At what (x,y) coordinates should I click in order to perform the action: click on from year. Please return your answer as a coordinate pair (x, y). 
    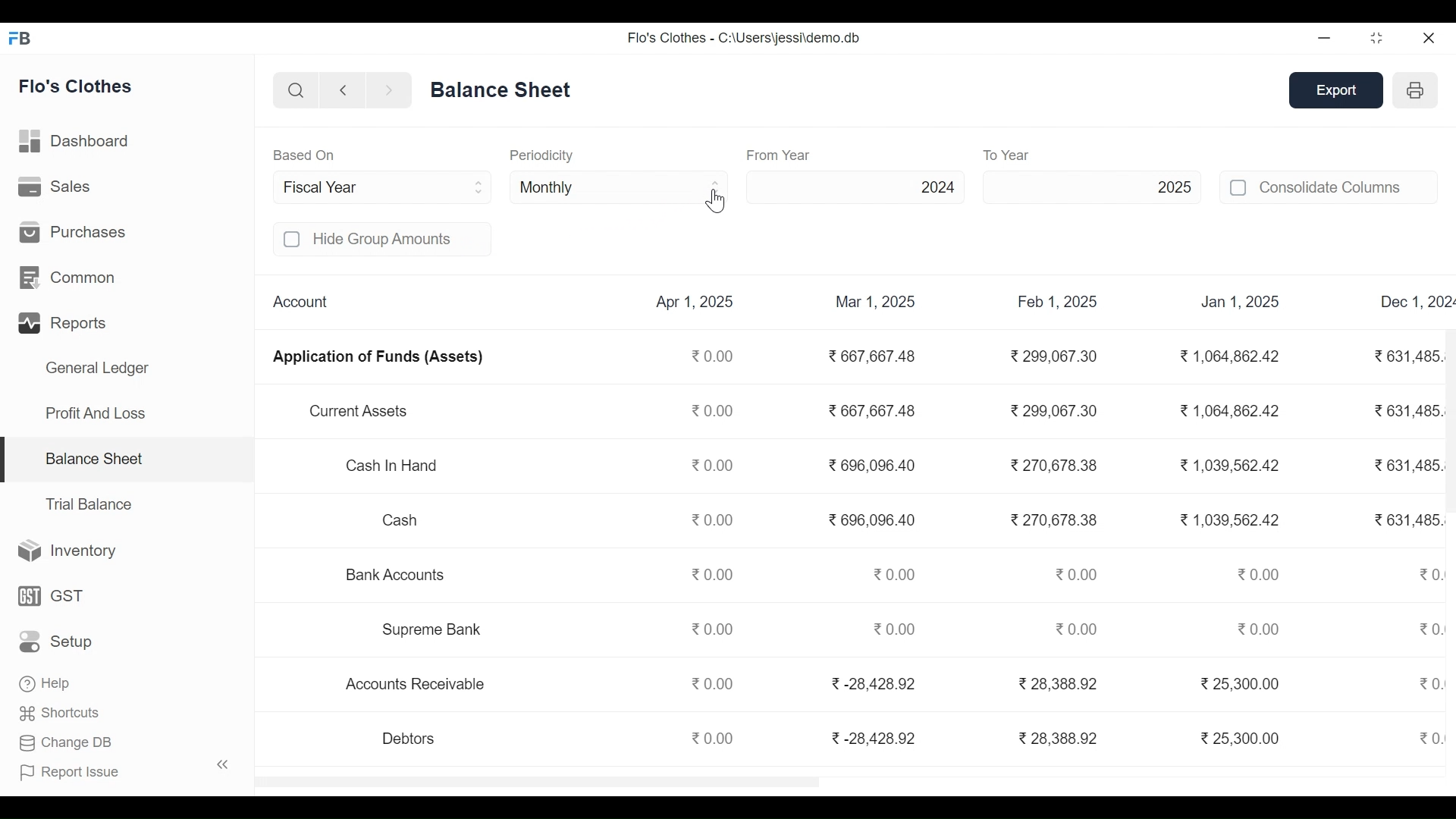
    Looking at the image, I should click on (780, 155).